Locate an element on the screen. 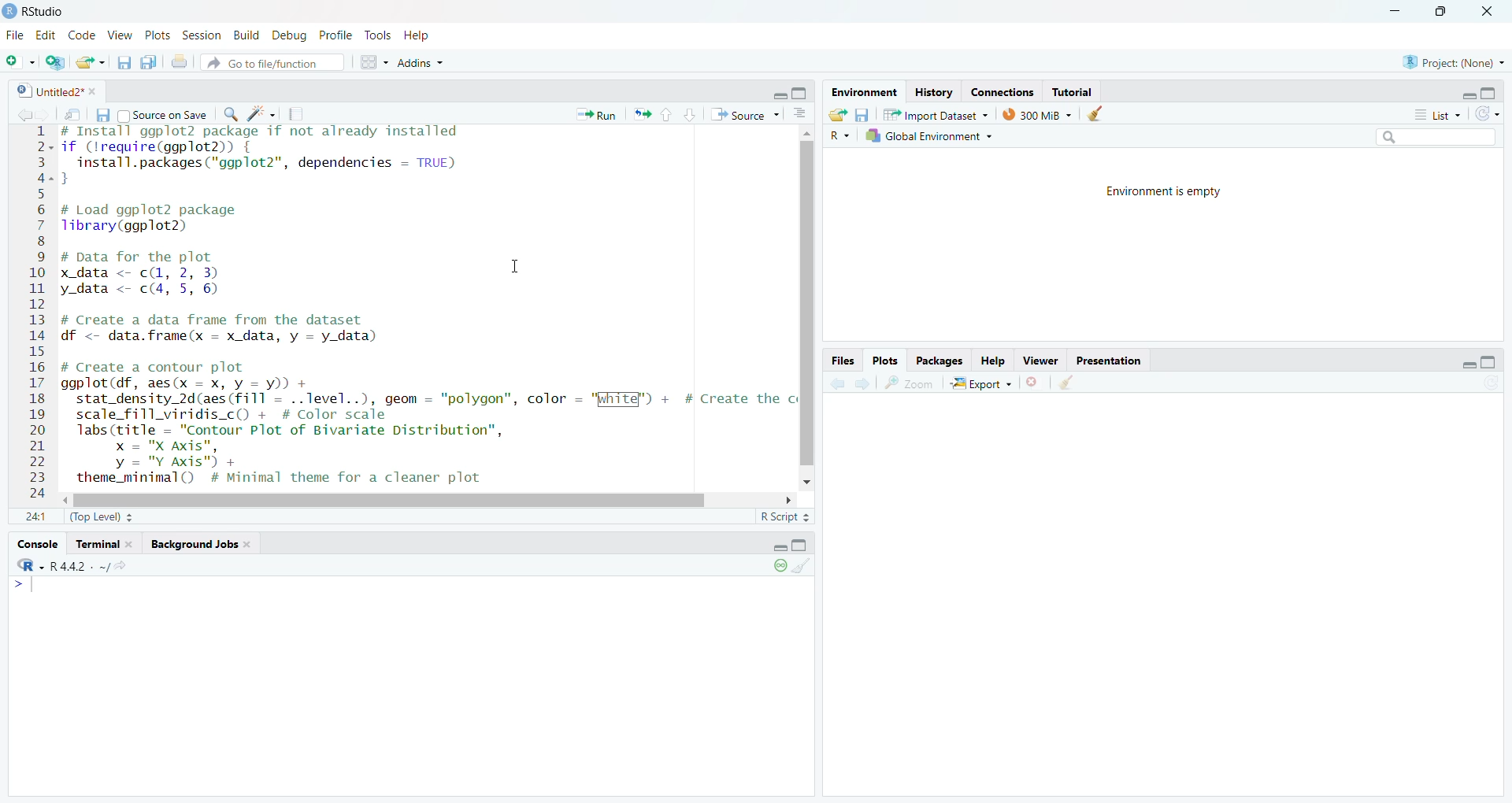  Plots is located at coordinates (158, 37).